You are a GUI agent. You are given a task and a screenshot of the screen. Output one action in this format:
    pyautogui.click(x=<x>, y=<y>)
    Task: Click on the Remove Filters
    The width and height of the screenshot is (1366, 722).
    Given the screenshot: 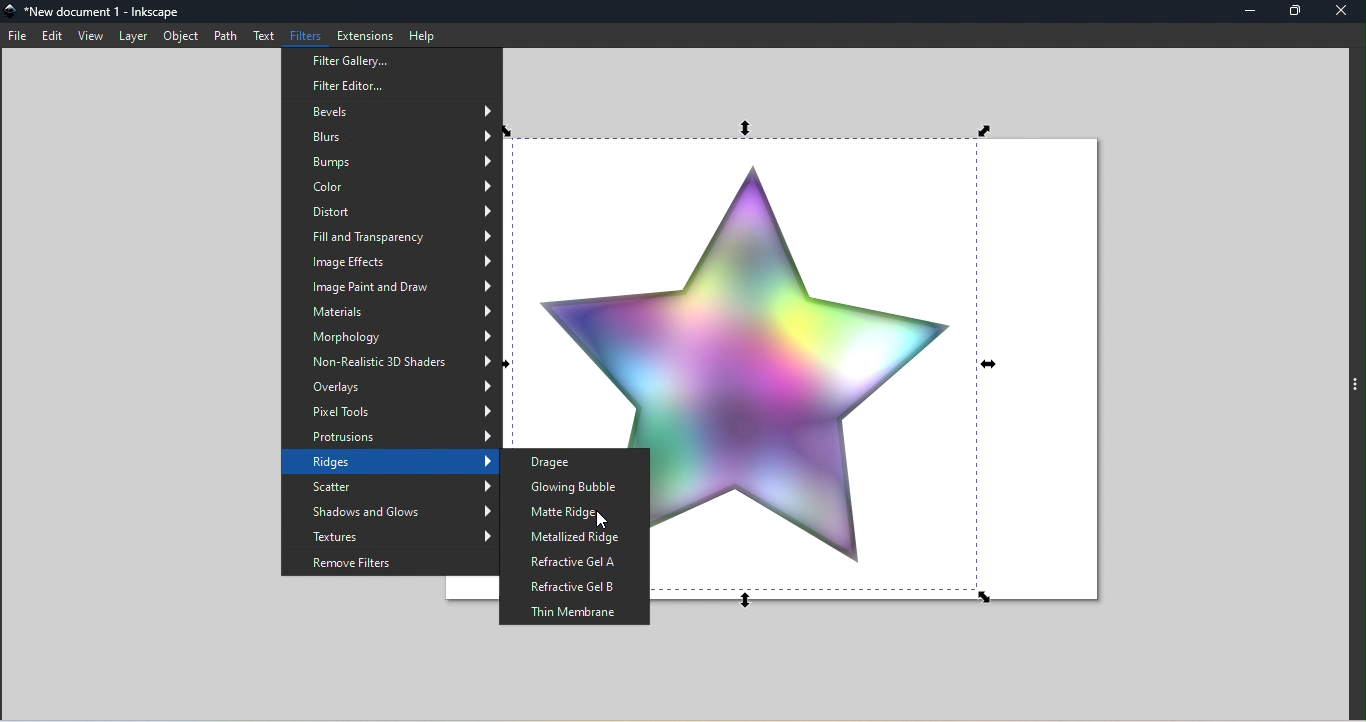 What is the action you would take?
    pyautogui.click(x=388, y=563)
    